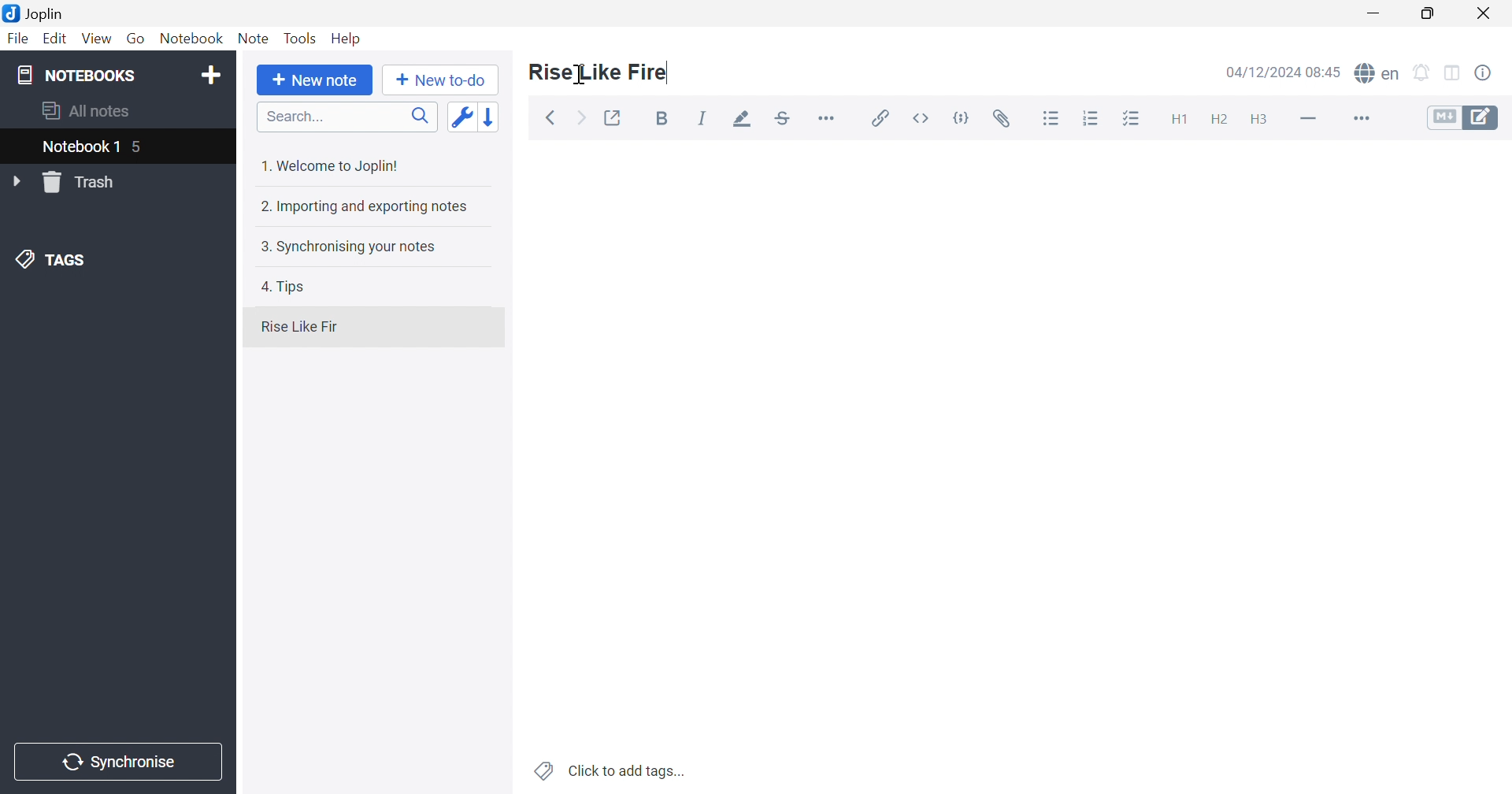 The image size is (1512, 794). What do you see at coordinates (58, 41) in the screenshot?
I see `Edit` at bounding box center [58, 41].